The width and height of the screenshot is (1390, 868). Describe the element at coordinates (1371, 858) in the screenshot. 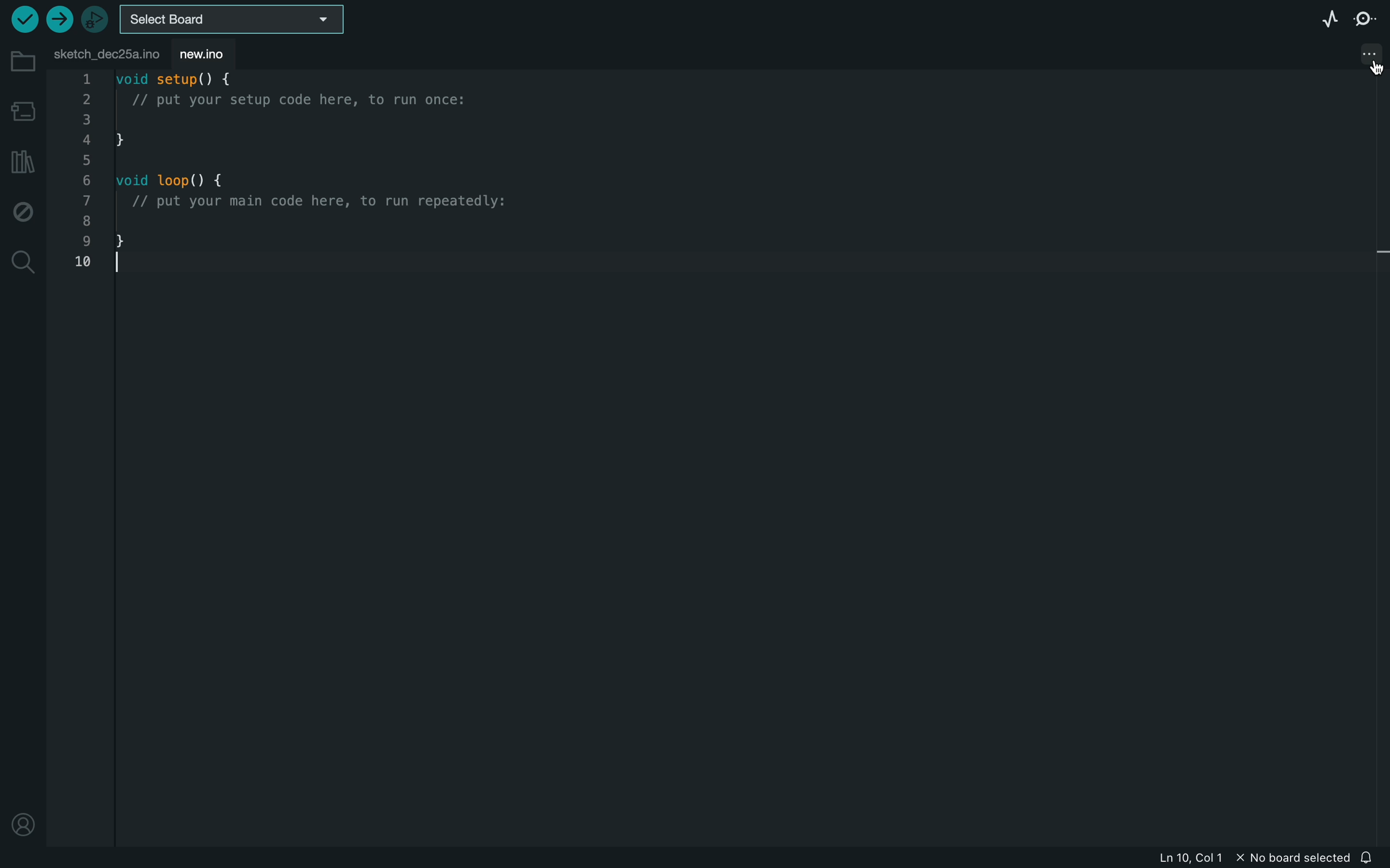

I see `notification` at that location.